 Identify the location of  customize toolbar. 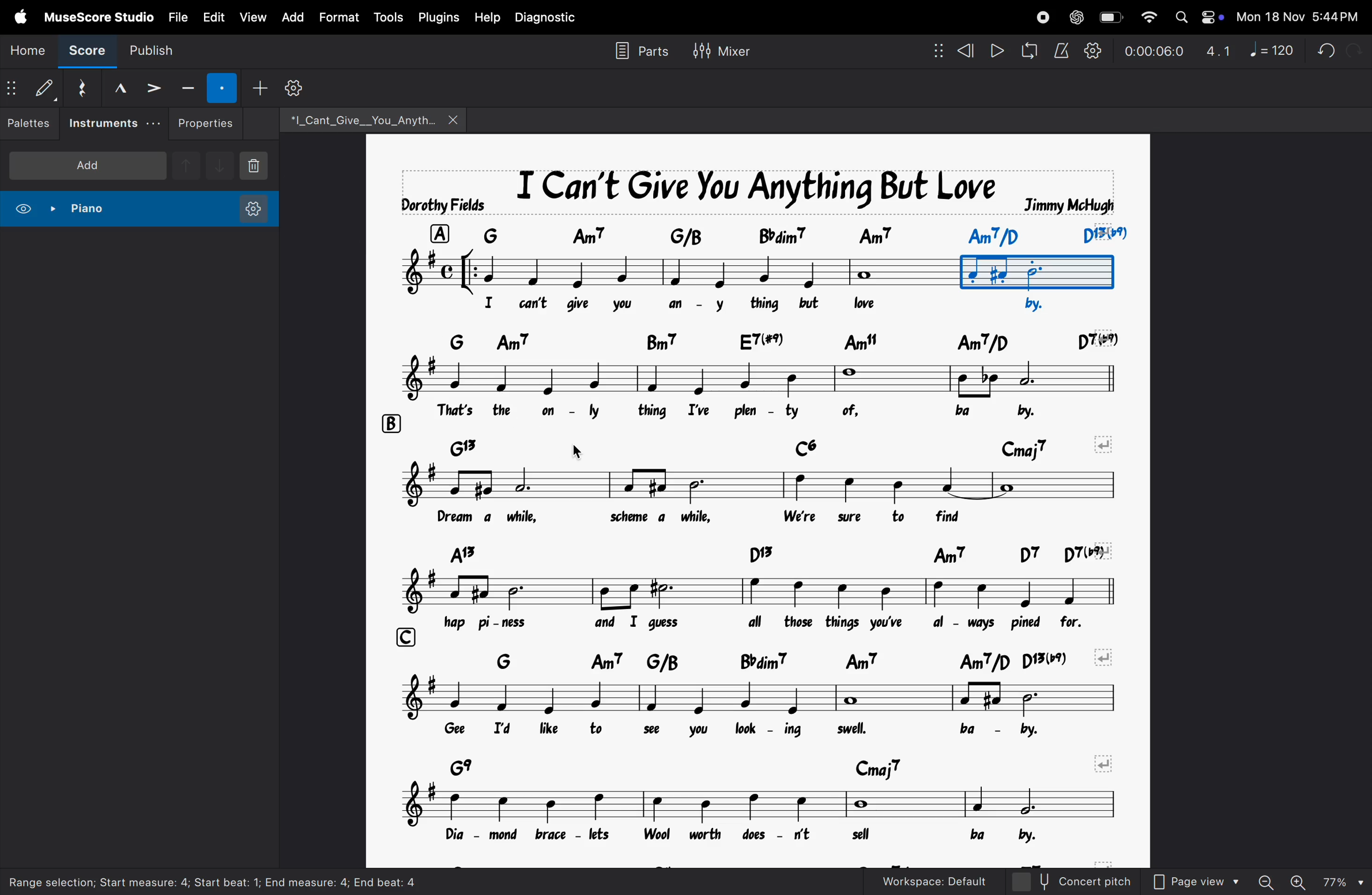
(300, 86).